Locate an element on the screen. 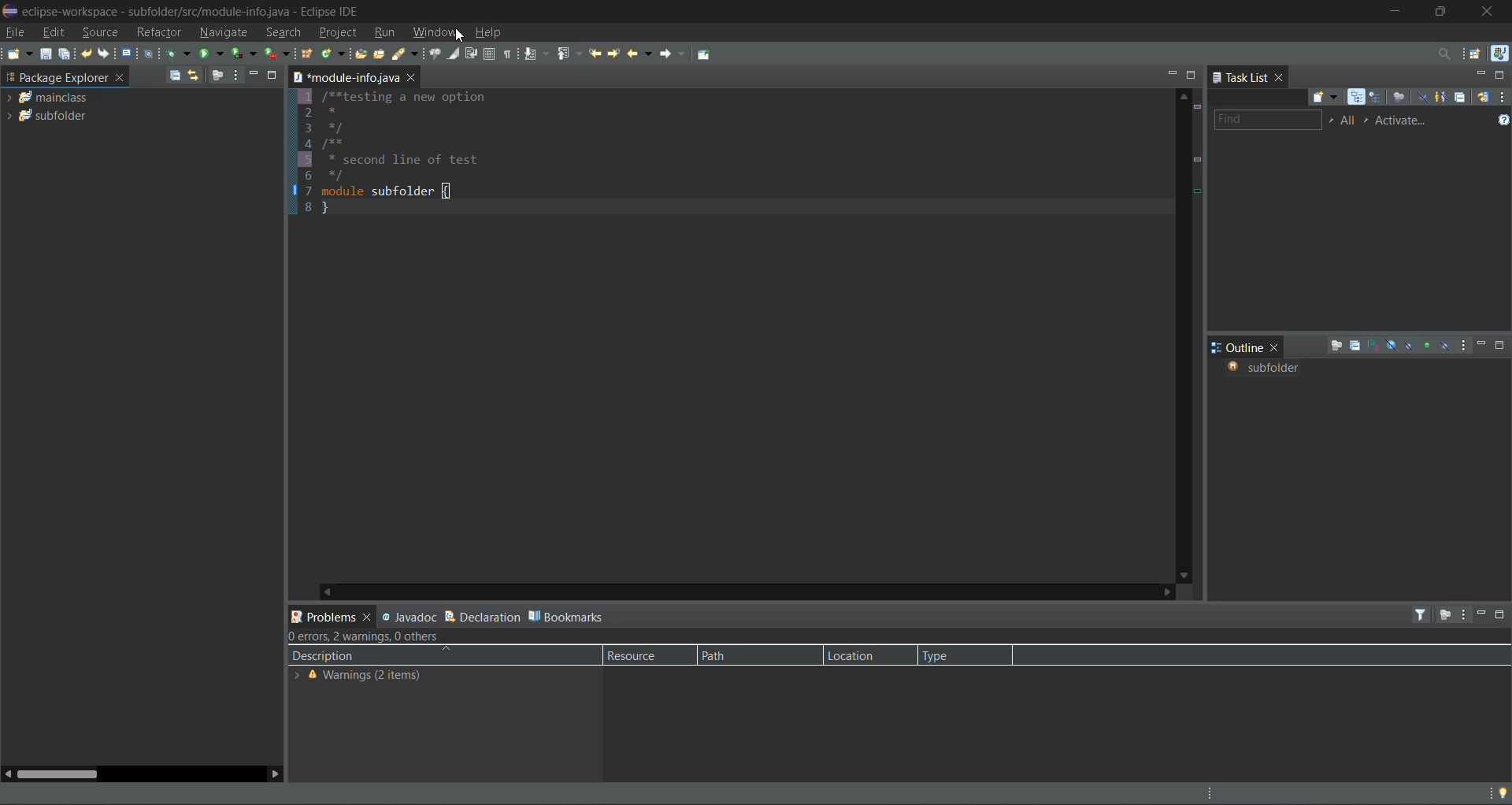  categorized is located at coordinates (1357, 98).